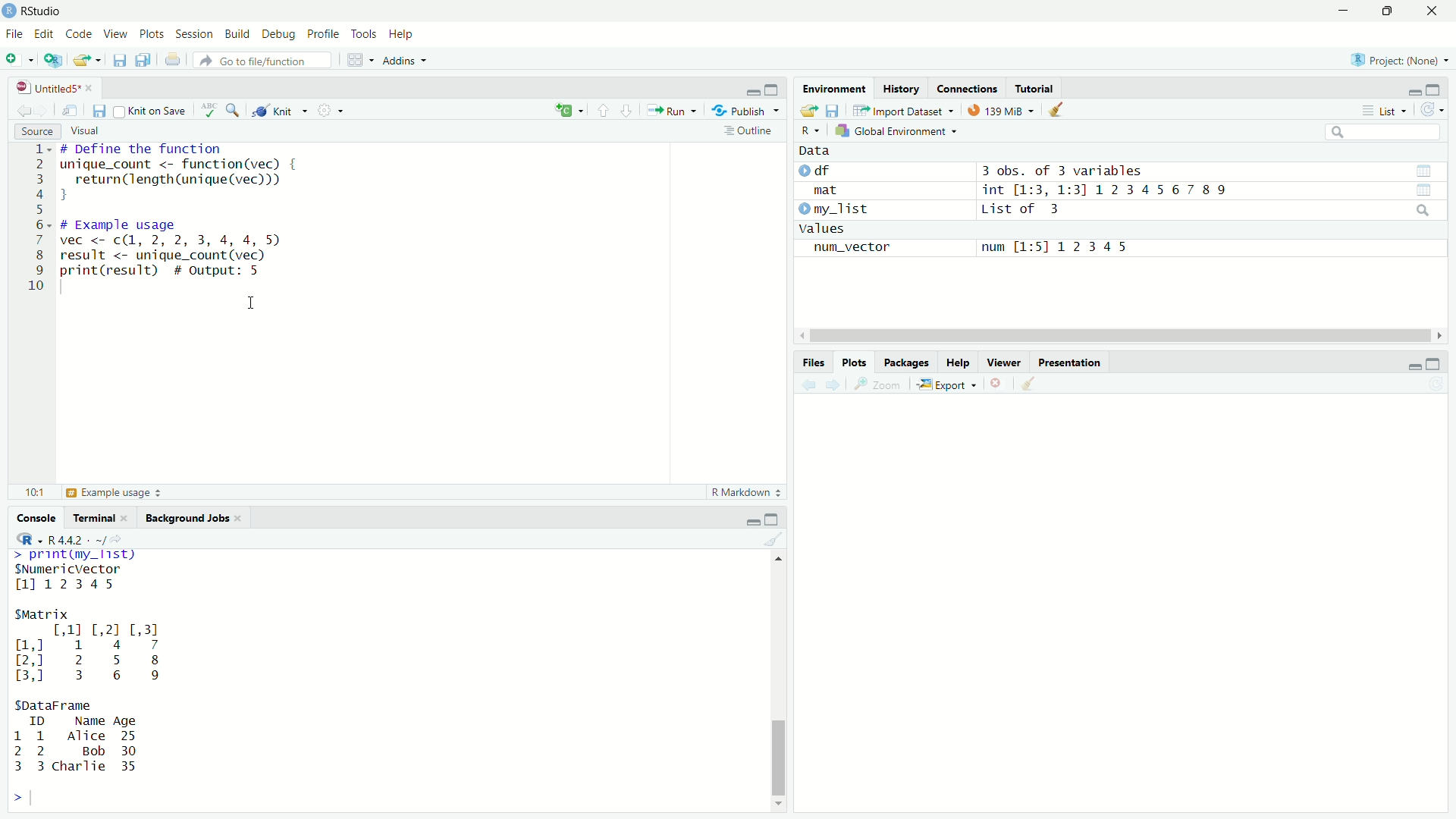  What do you see at coordinates (744, 110) in the screenshot?
I see `Publish` at bounding box center [744, 110].